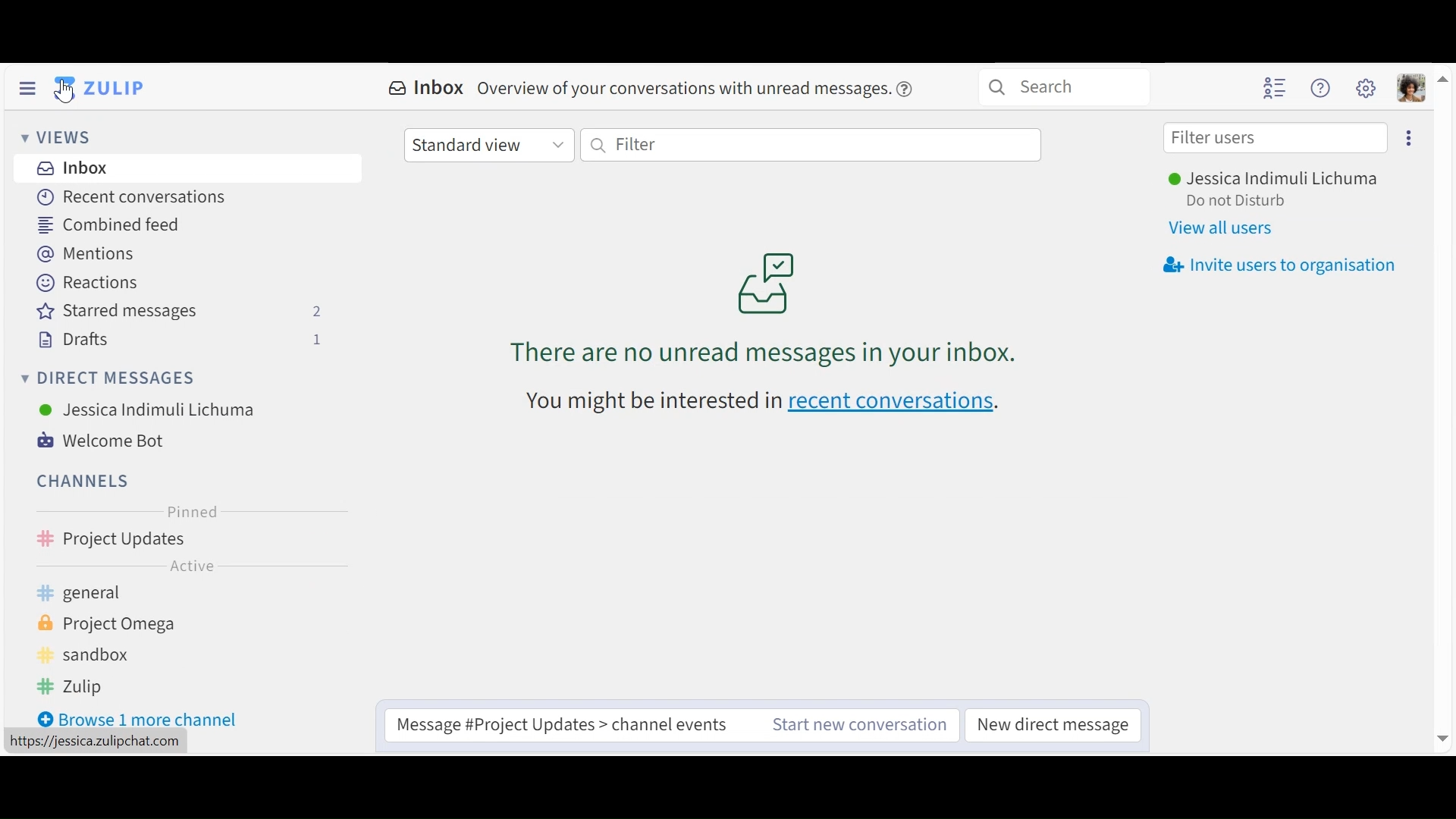  I want to click on Direct Messages, so click(110, 377).